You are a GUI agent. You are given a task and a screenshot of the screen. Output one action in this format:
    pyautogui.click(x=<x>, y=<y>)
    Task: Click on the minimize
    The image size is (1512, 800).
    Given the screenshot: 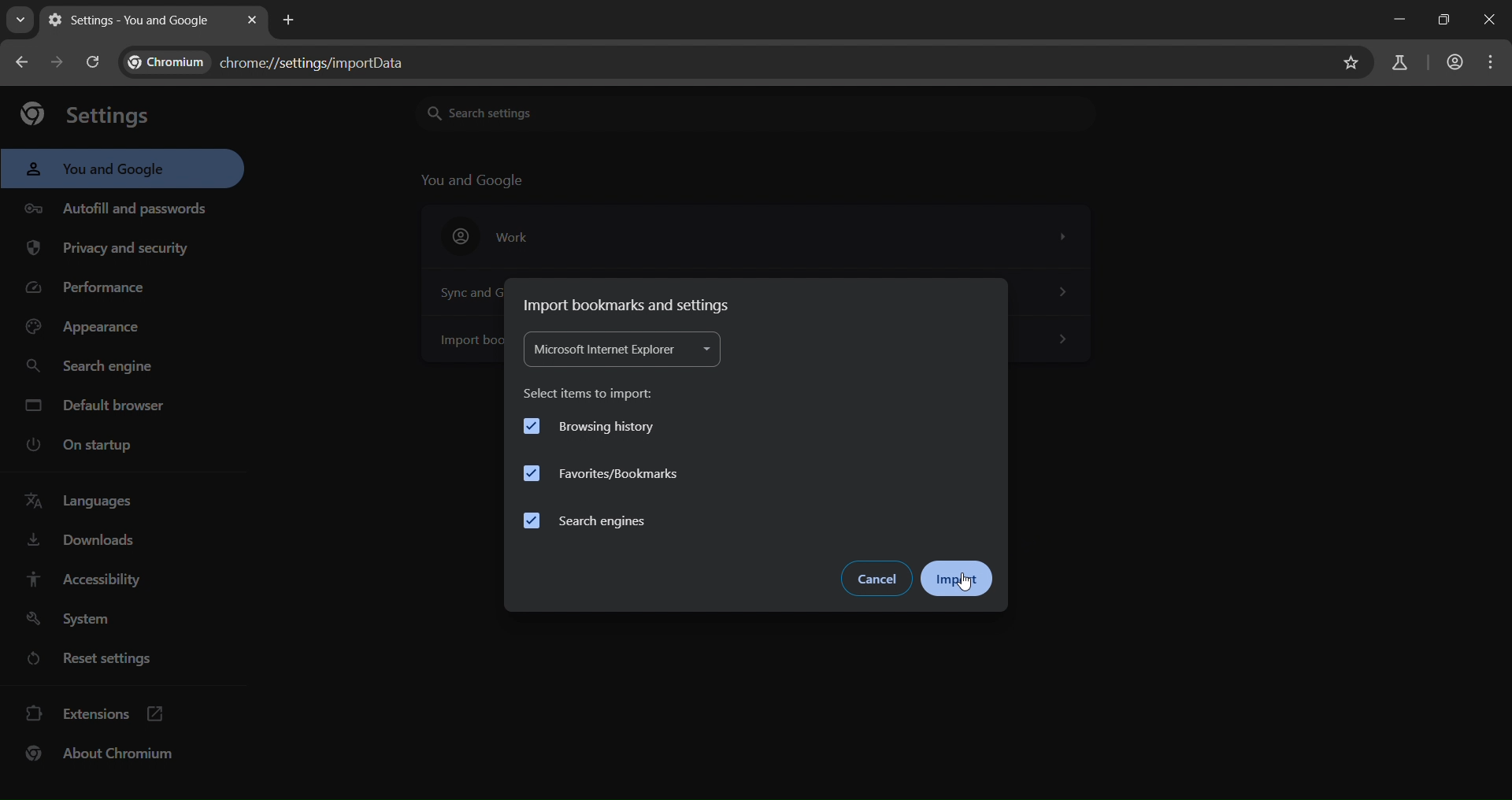 What is the action you would take?
    pyautogui.click(x=1384, y=22)
    